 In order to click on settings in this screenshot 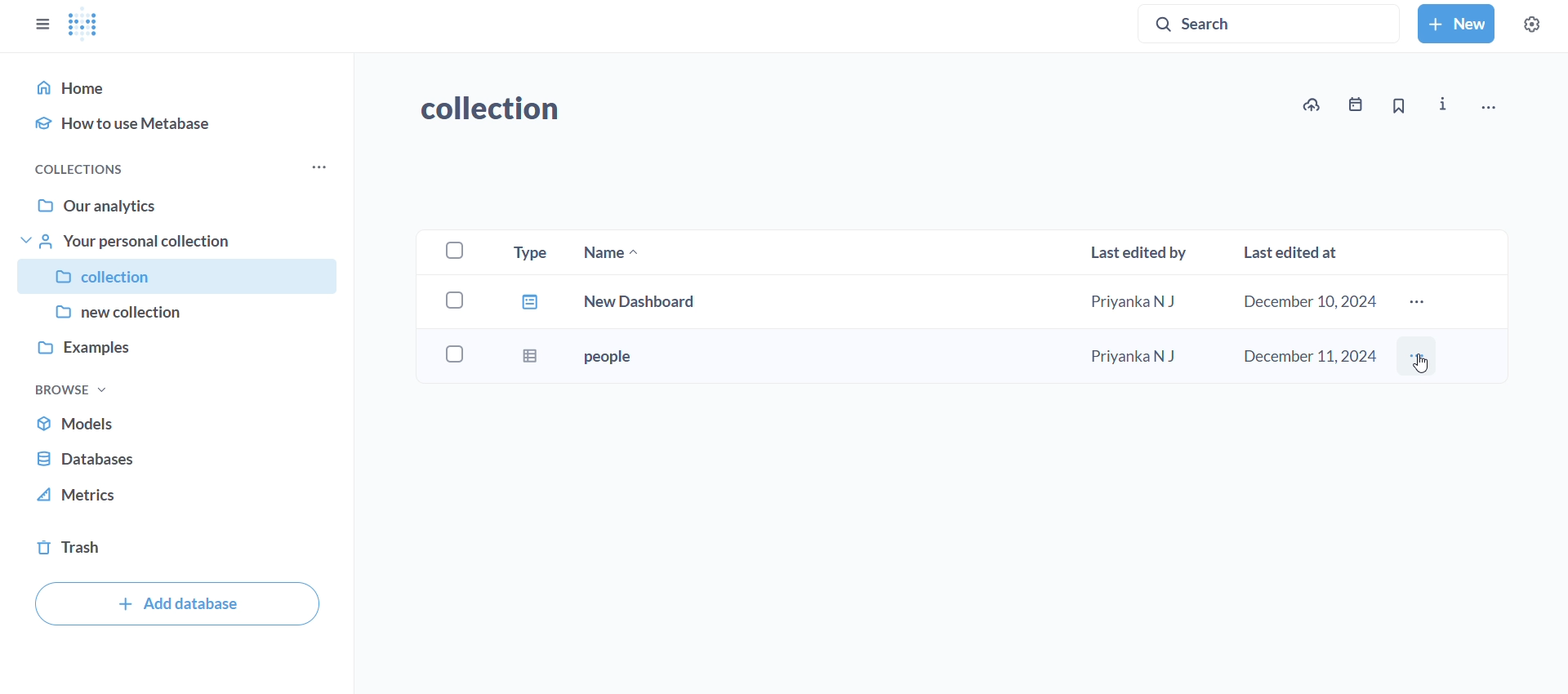, I will do `click(1530, 24)`.